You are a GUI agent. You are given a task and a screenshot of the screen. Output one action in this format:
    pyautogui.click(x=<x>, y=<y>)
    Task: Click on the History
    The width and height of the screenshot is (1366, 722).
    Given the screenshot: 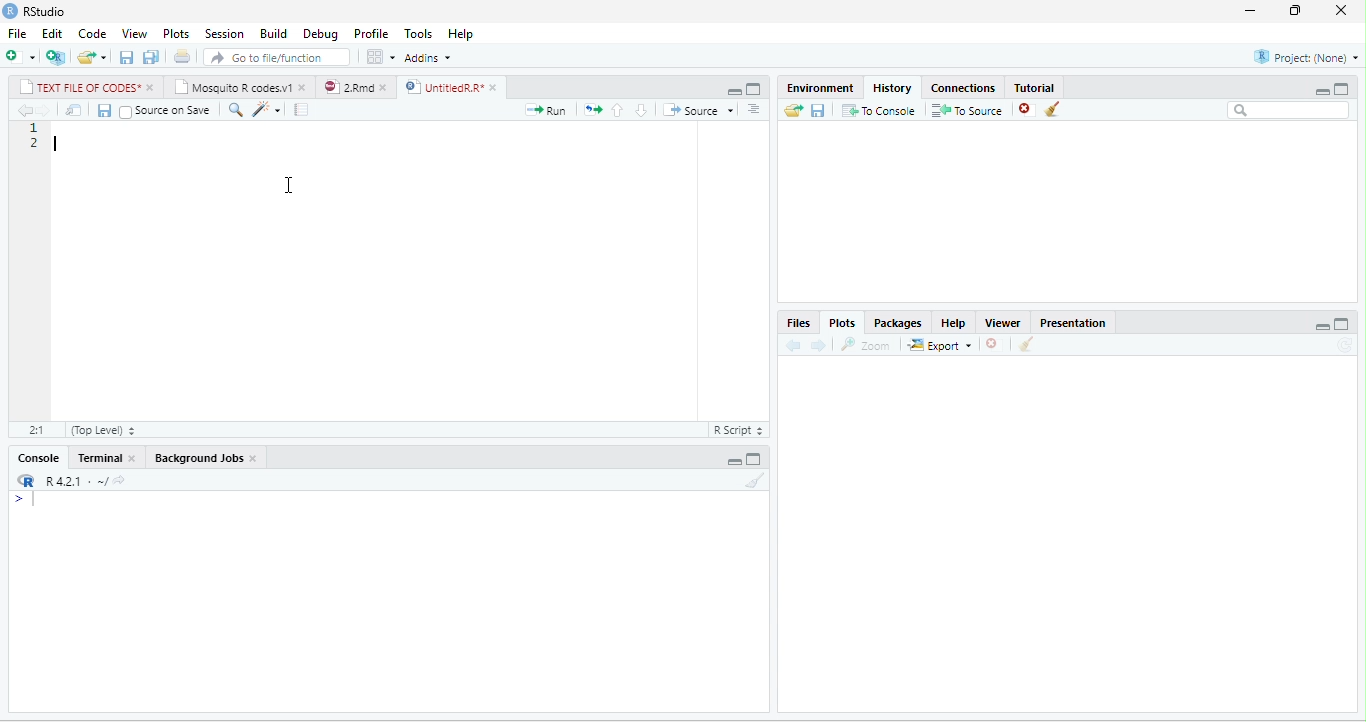 What is the action you would take?
    pyautogui.click(x=892, y=88)
    